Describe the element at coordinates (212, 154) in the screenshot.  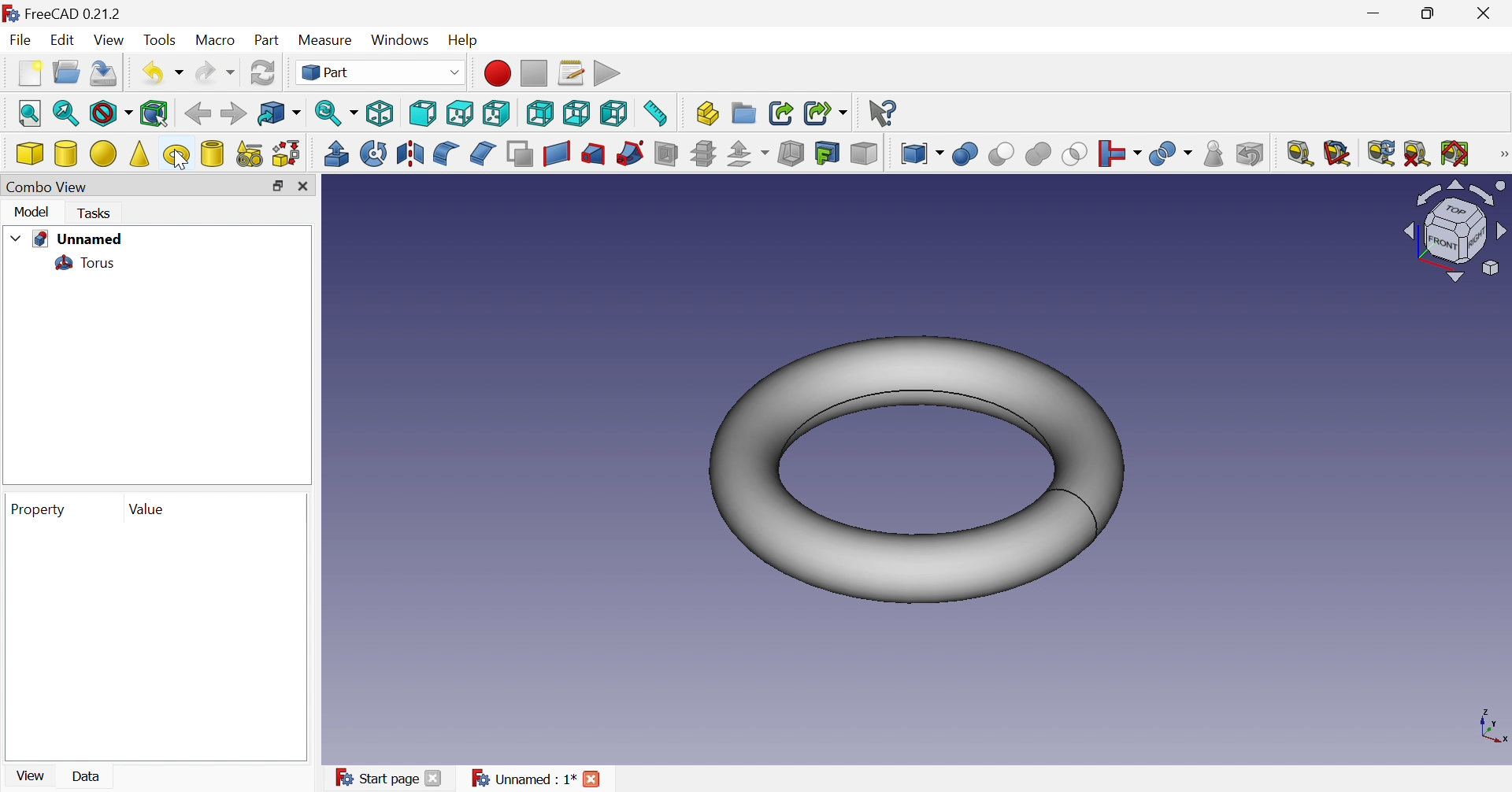
I see `Create tube` at that location.